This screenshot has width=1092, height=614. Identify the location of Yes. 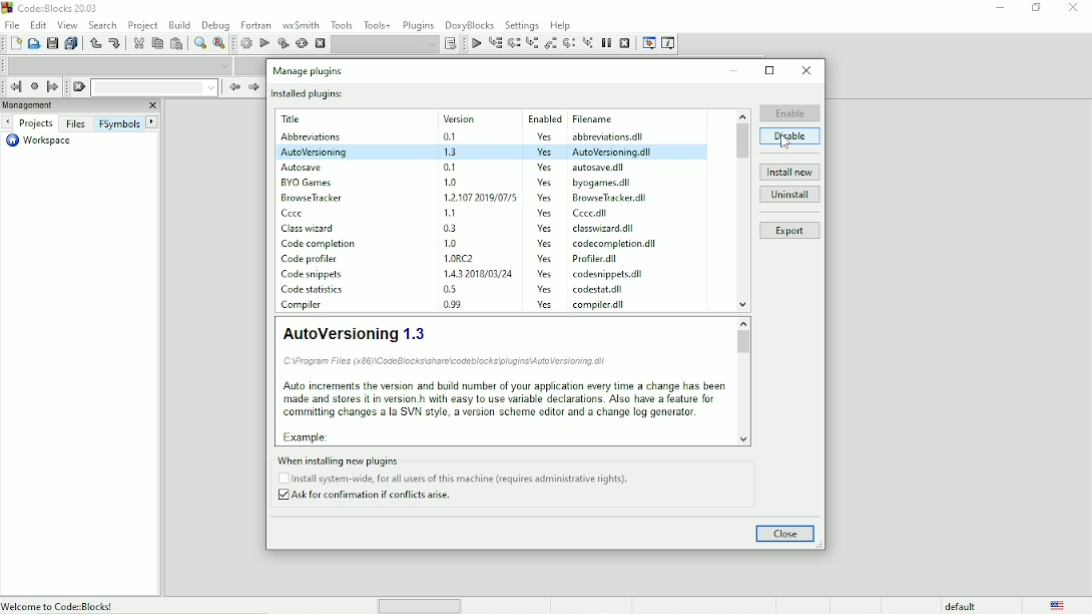
(547, 214).